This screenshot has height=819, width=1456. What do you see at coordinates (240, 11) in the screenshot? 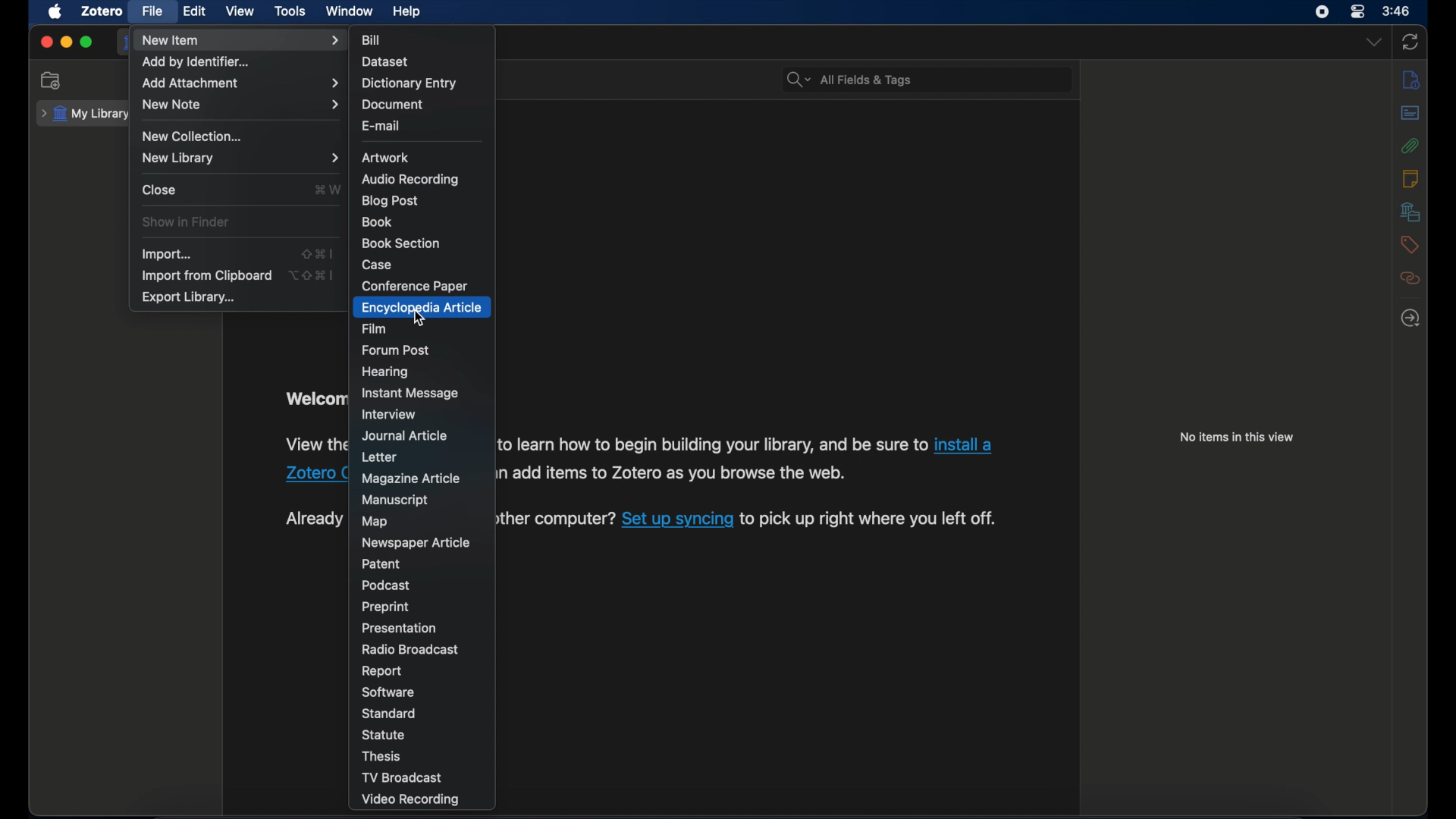
I see `view` at bounding box center [240, 11].